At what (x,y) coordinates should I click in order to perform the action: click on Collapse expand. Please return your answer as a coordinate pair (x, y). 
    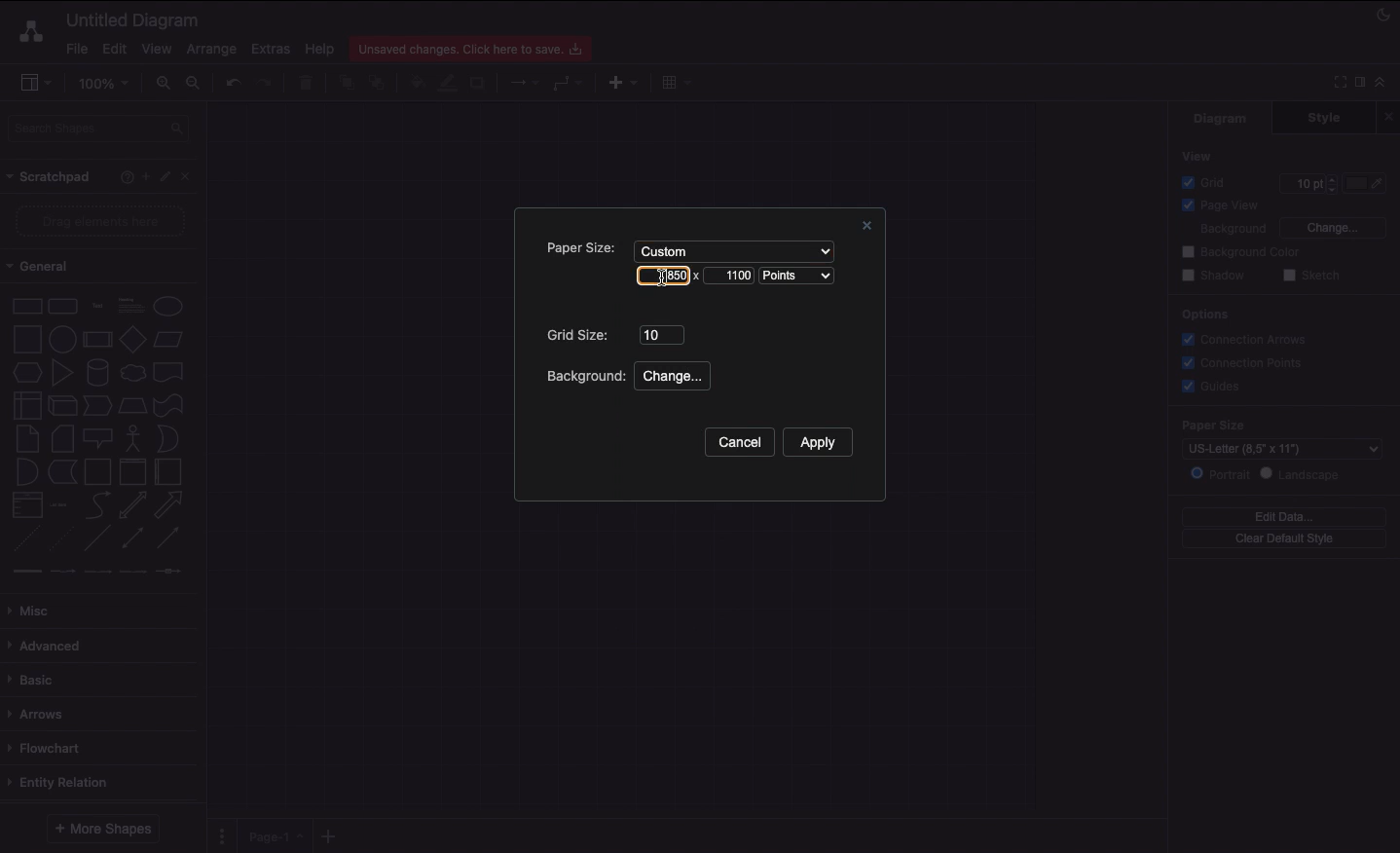
    Looking at the image, I should click on (1385, 87).